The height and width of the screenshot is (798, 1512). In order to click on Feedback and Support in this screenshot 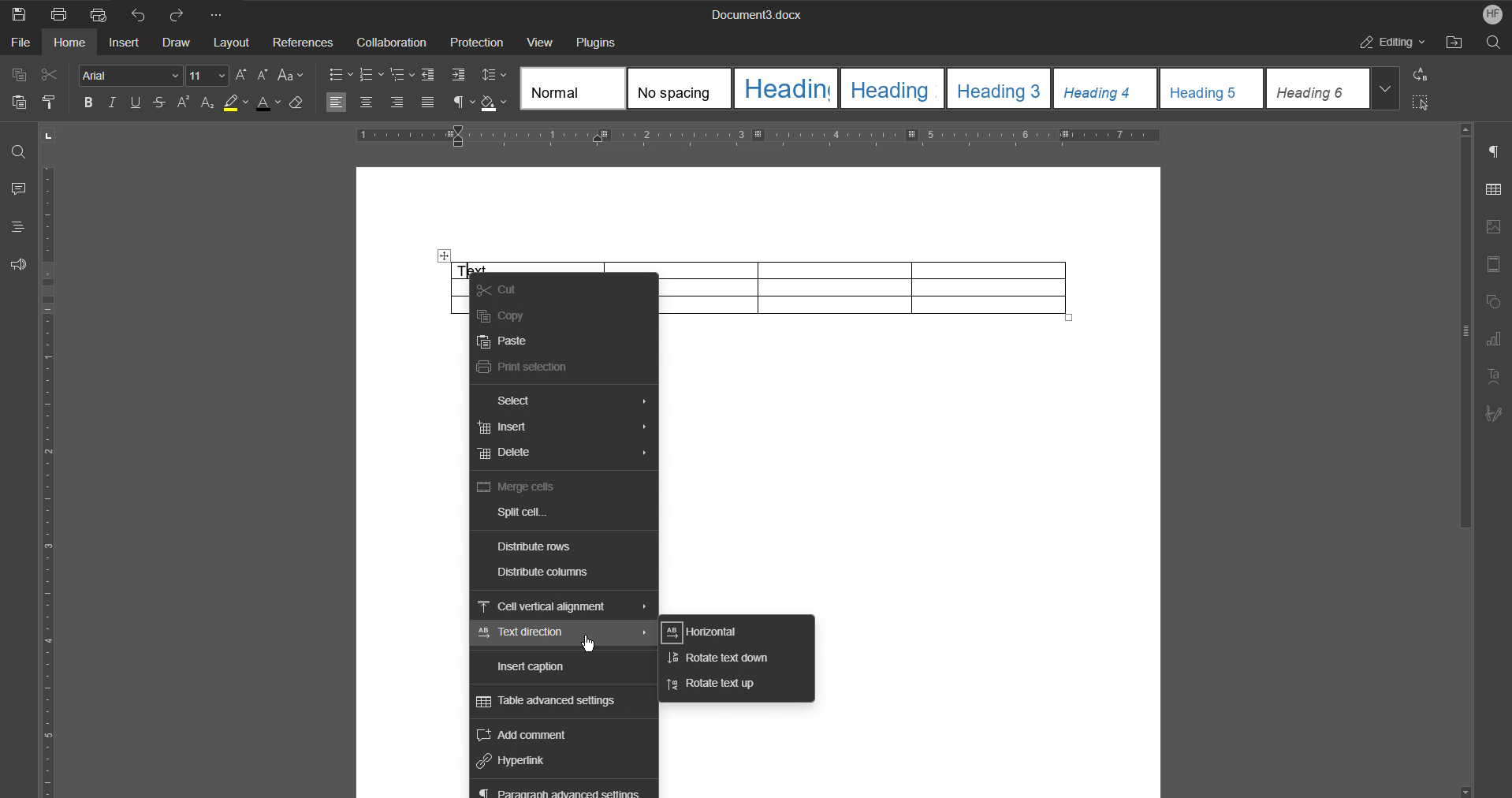, I will do `click(19, 261)`.